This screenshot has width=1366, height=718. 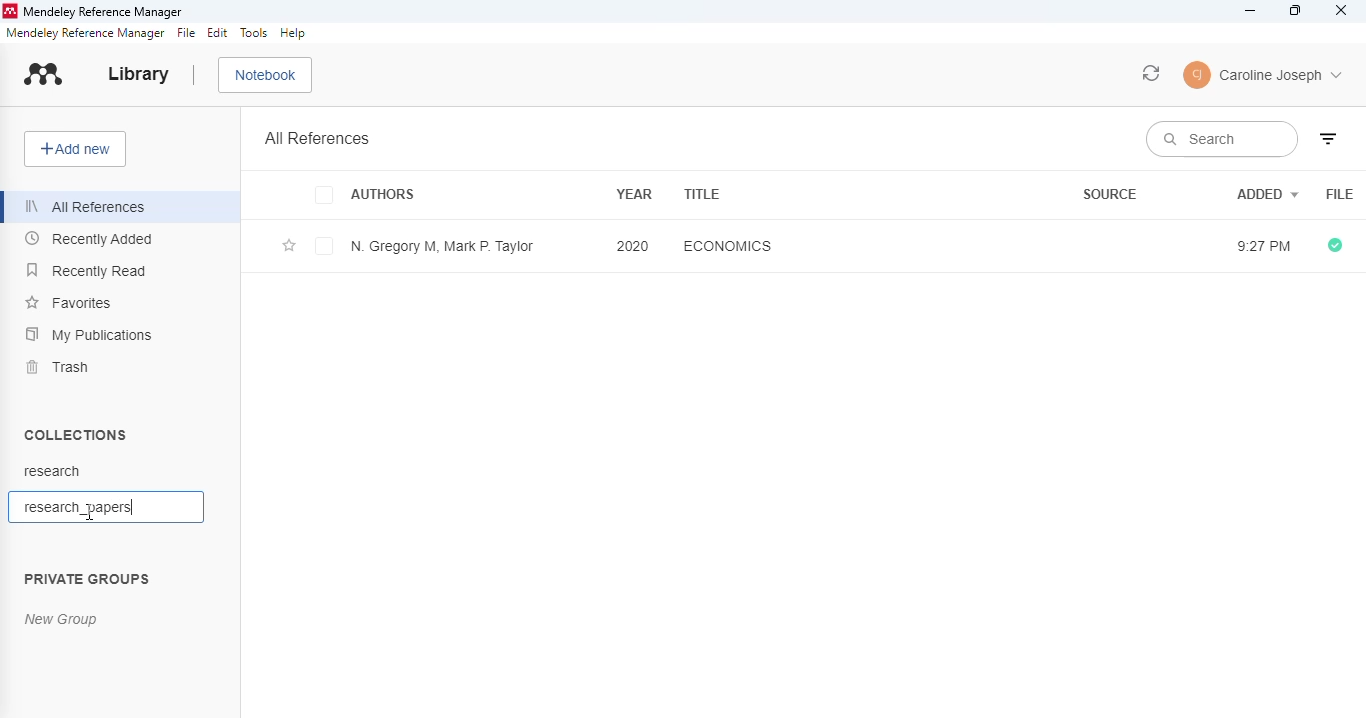 I want to click on add new, so click(x=75, y=149).